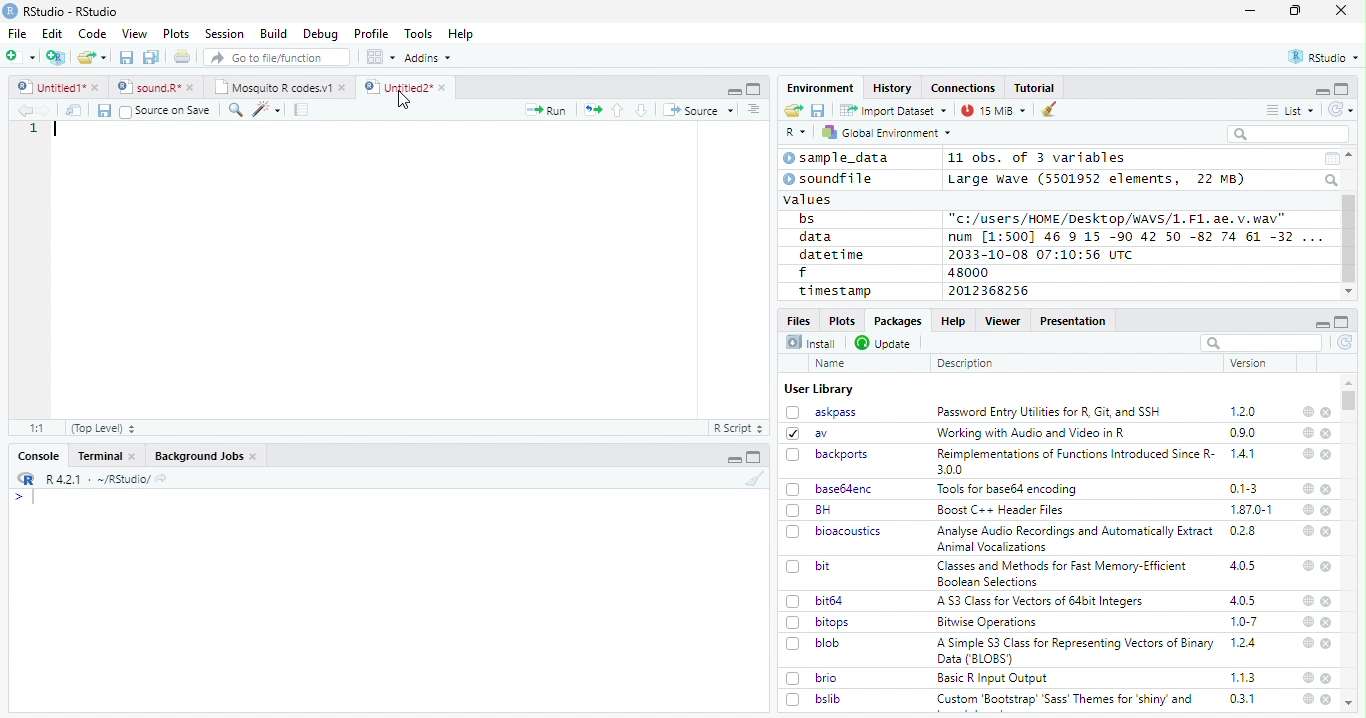 The width and height of the screenshot is (1366, 718). What do you see at coordinates (1328, 510) in the screenshot?
I see `close` at bounding box center [1328, 510].